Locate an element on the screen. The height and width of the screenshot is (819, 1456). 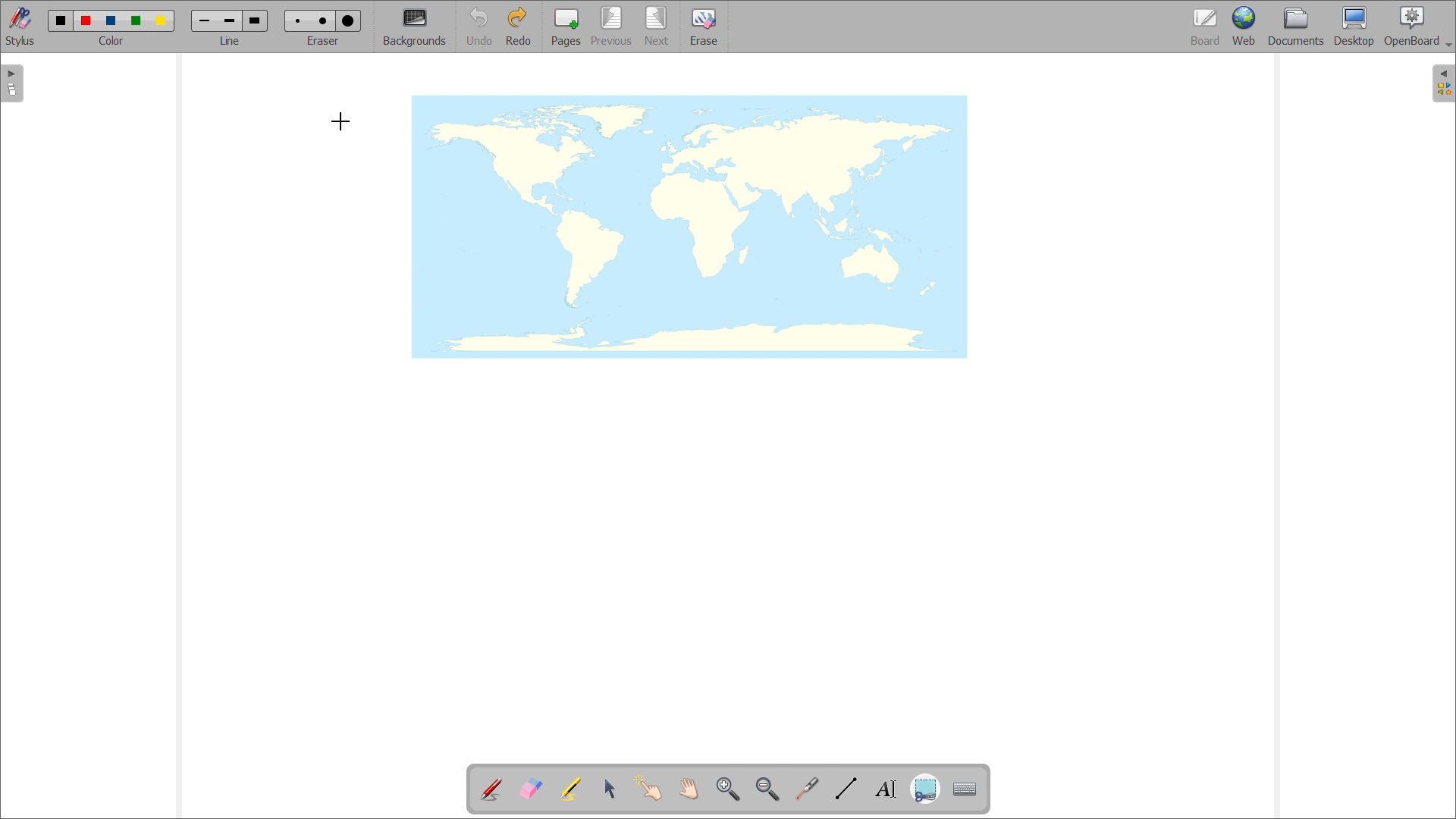
desktop is located at coordinates (1354, 26).